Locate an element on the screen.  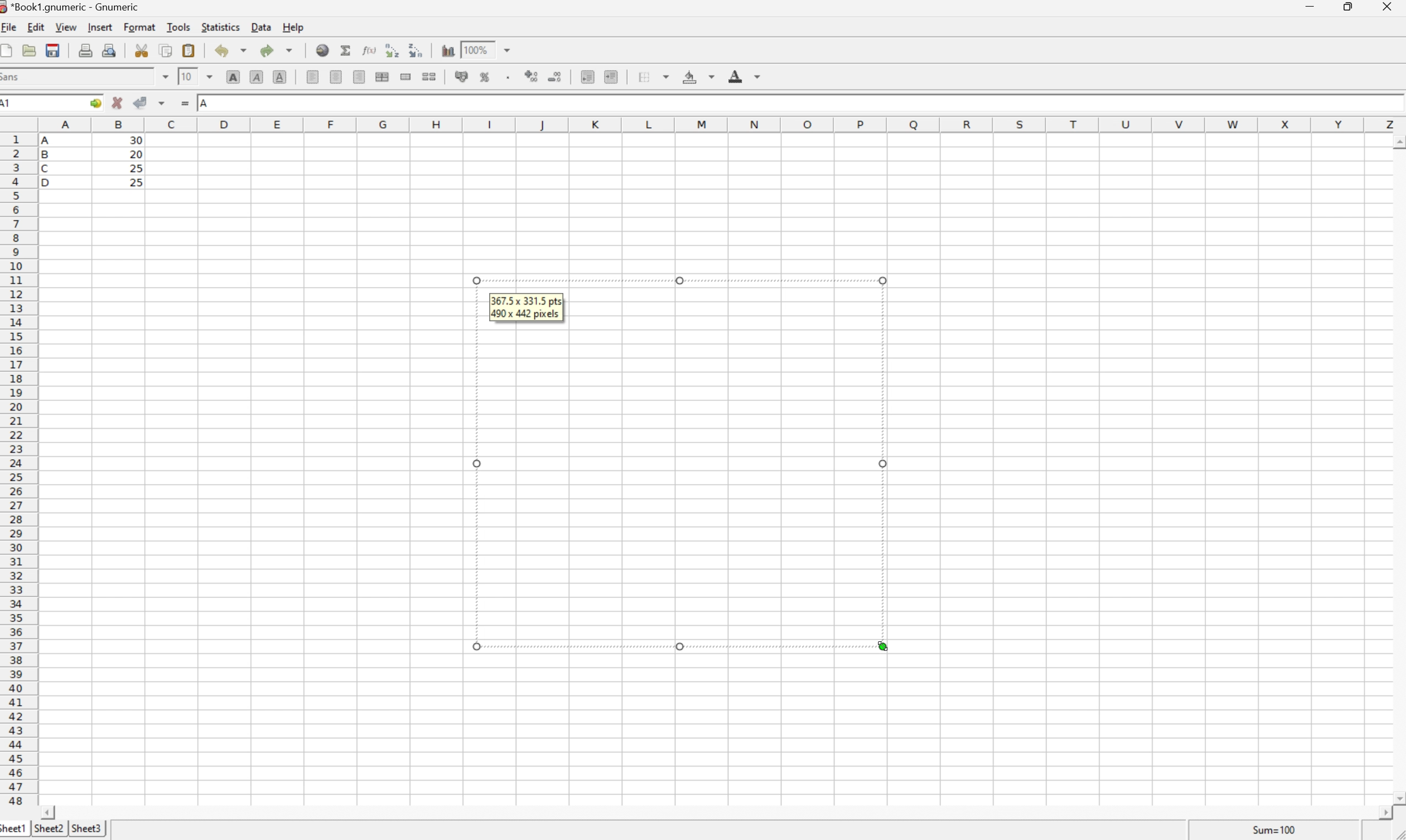
Underline is located at coordinates (279, 78).